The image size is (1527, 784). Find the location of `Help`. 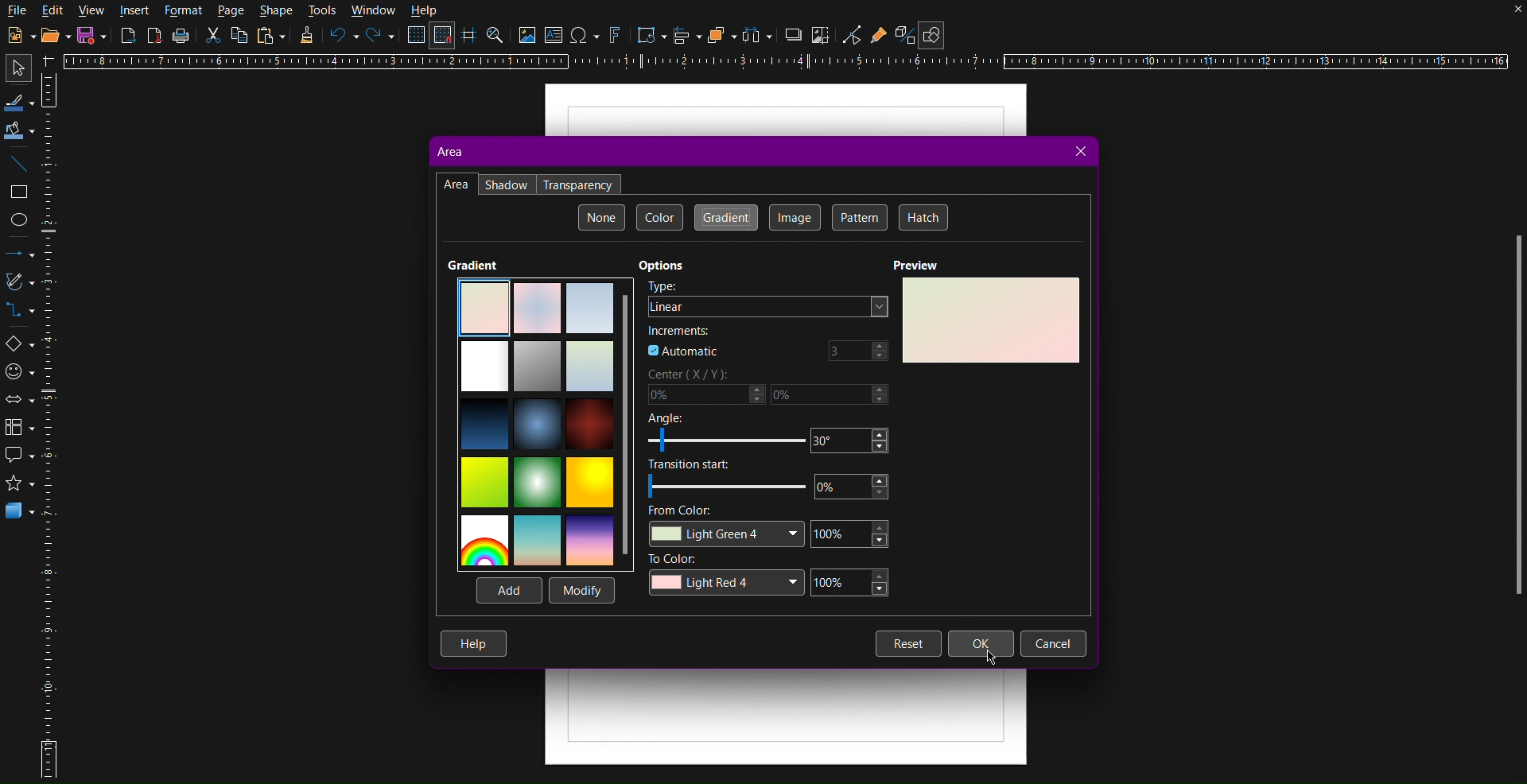

Help is located at coordinates (425, 11).